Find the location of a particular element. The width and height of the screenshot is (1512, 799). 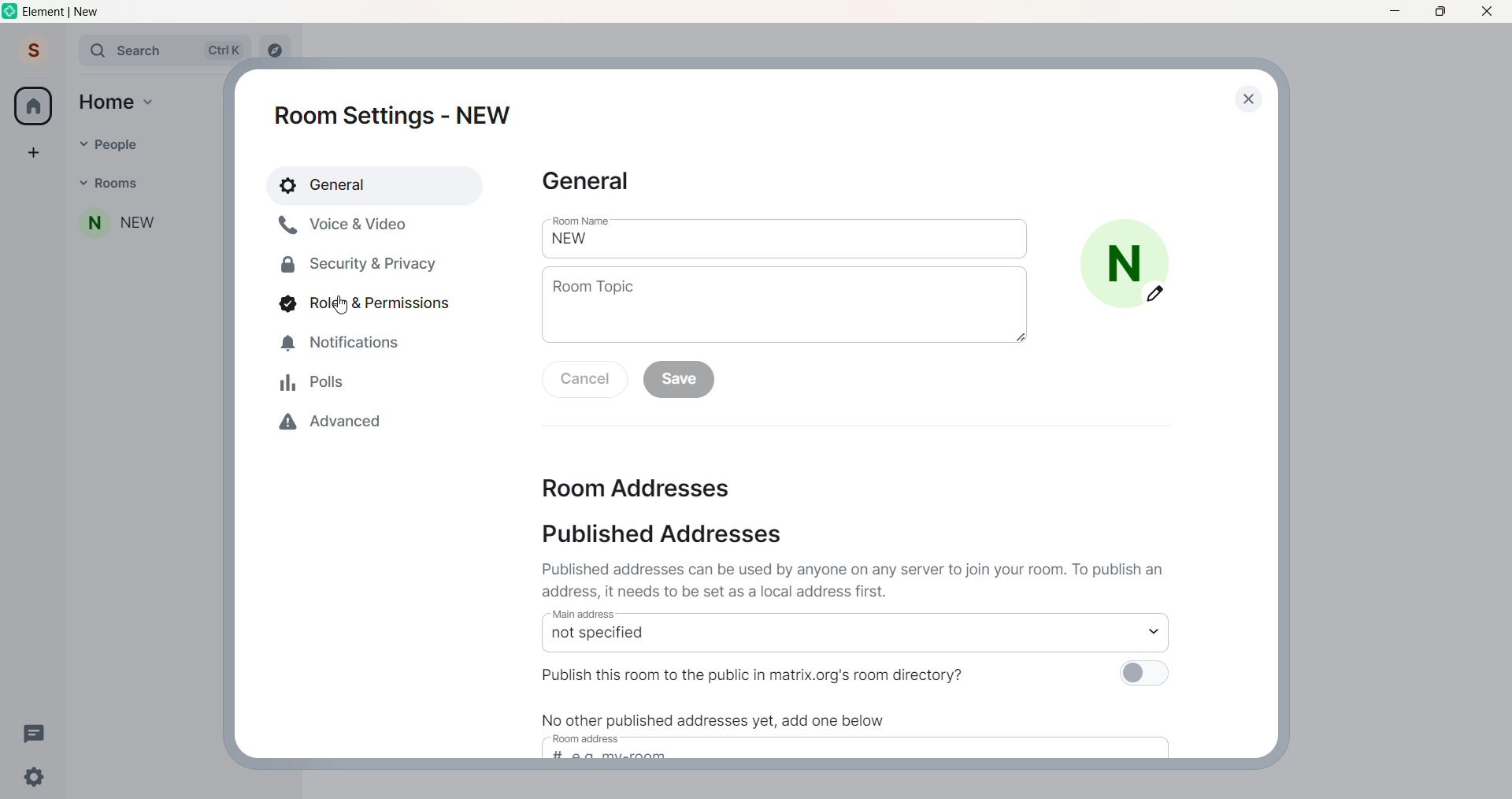

advanced is located at coordinates (339, 425).